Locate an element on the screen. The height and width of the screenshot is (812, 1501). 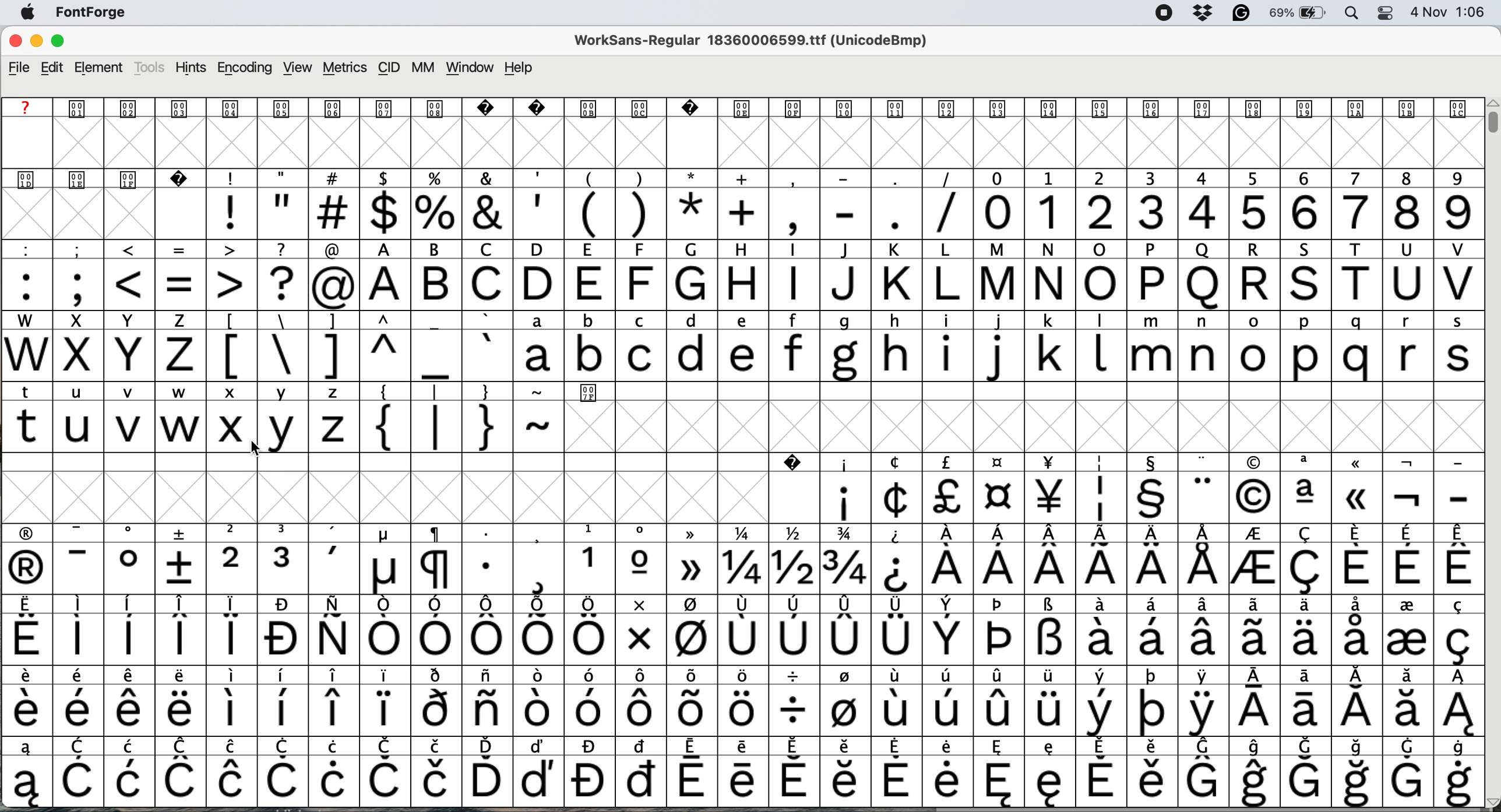
special characters and text is located at coordinates (738, 249).